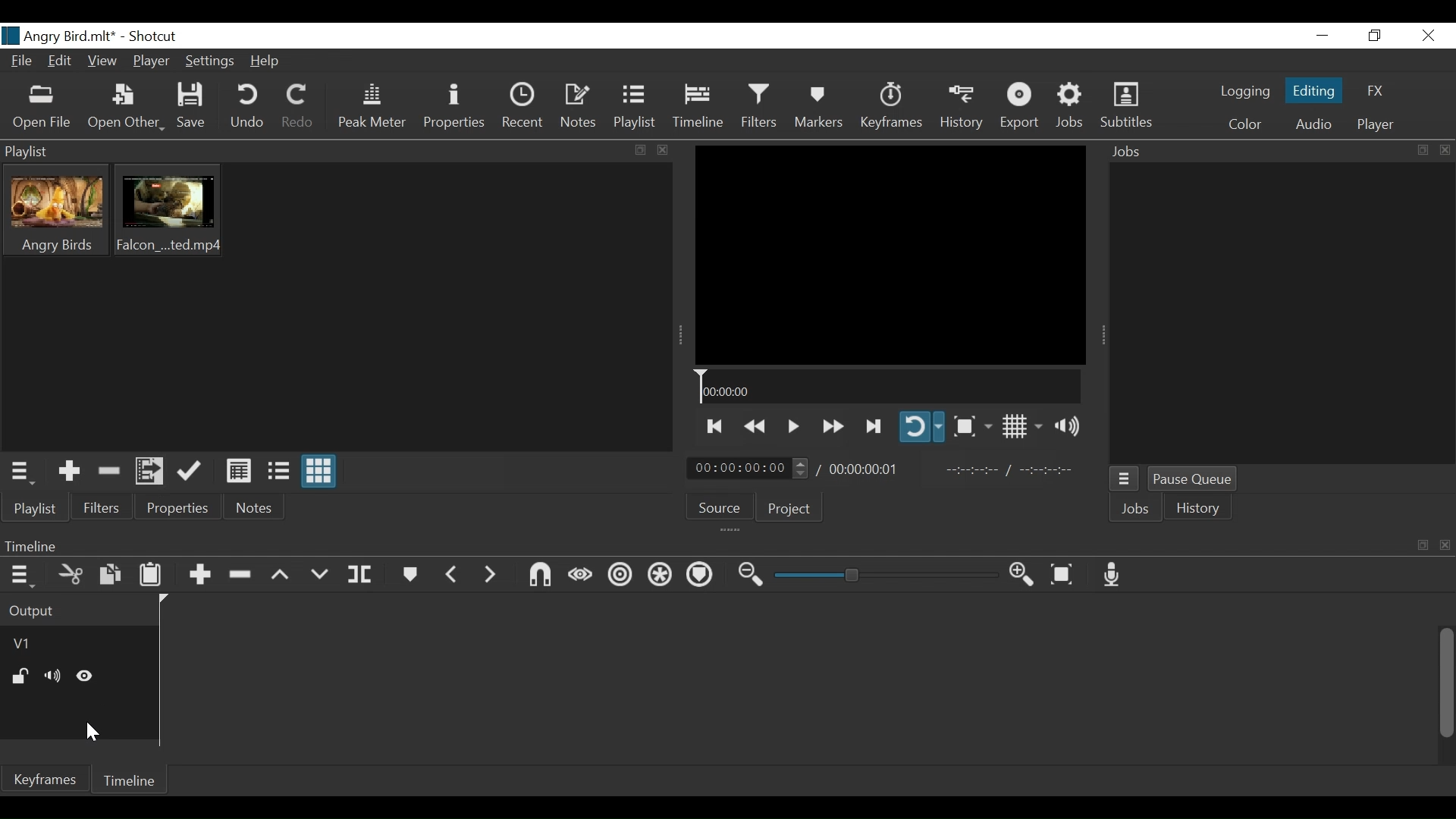  Describe the element at coordinates (1021, 574) in the screenshot. I see `Zoom timeline in` at that location.